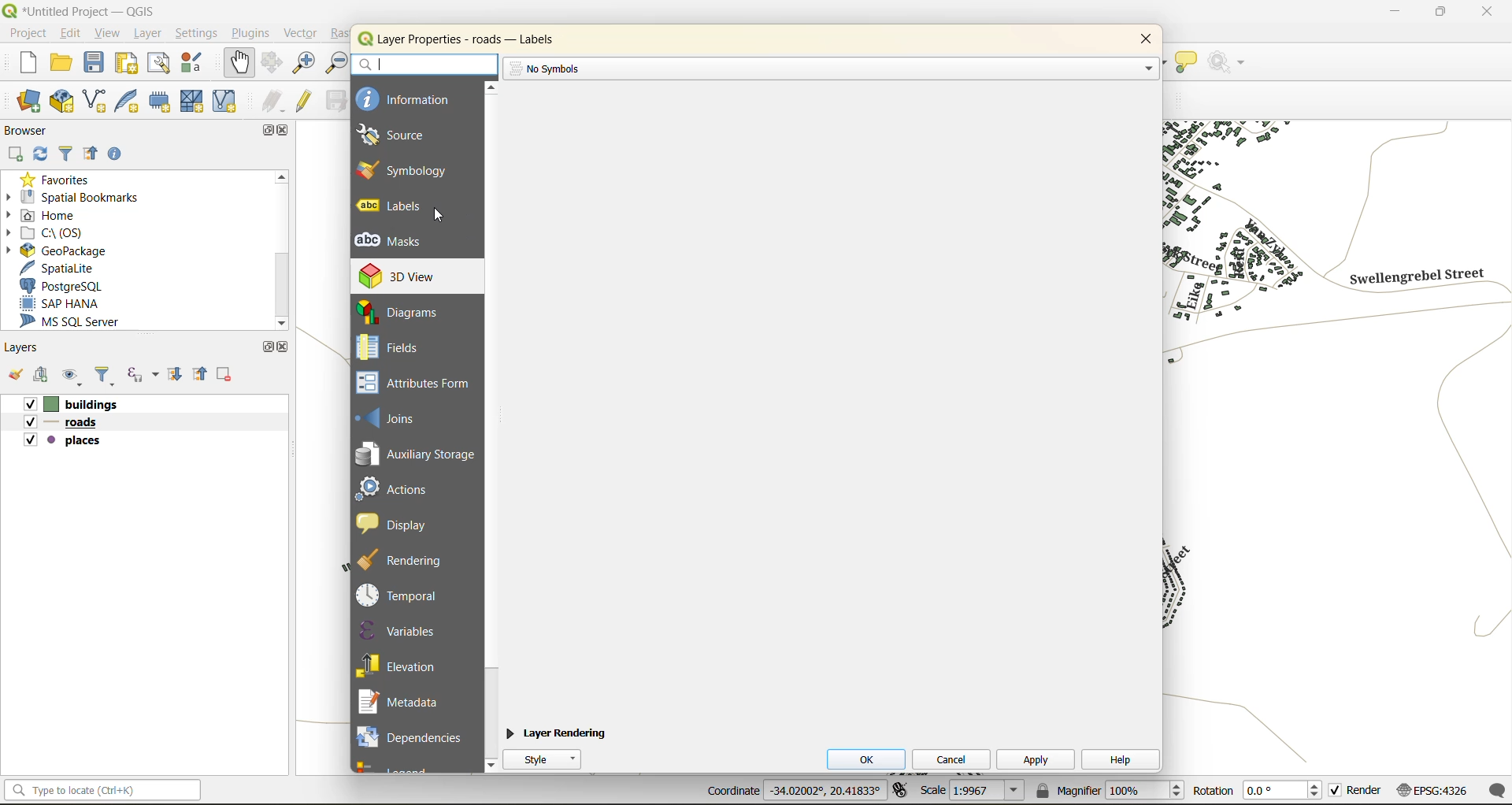 Image resolution: width=1512 pixels, height=805 pixels. I want to click on zoom in, so click(306, 65).